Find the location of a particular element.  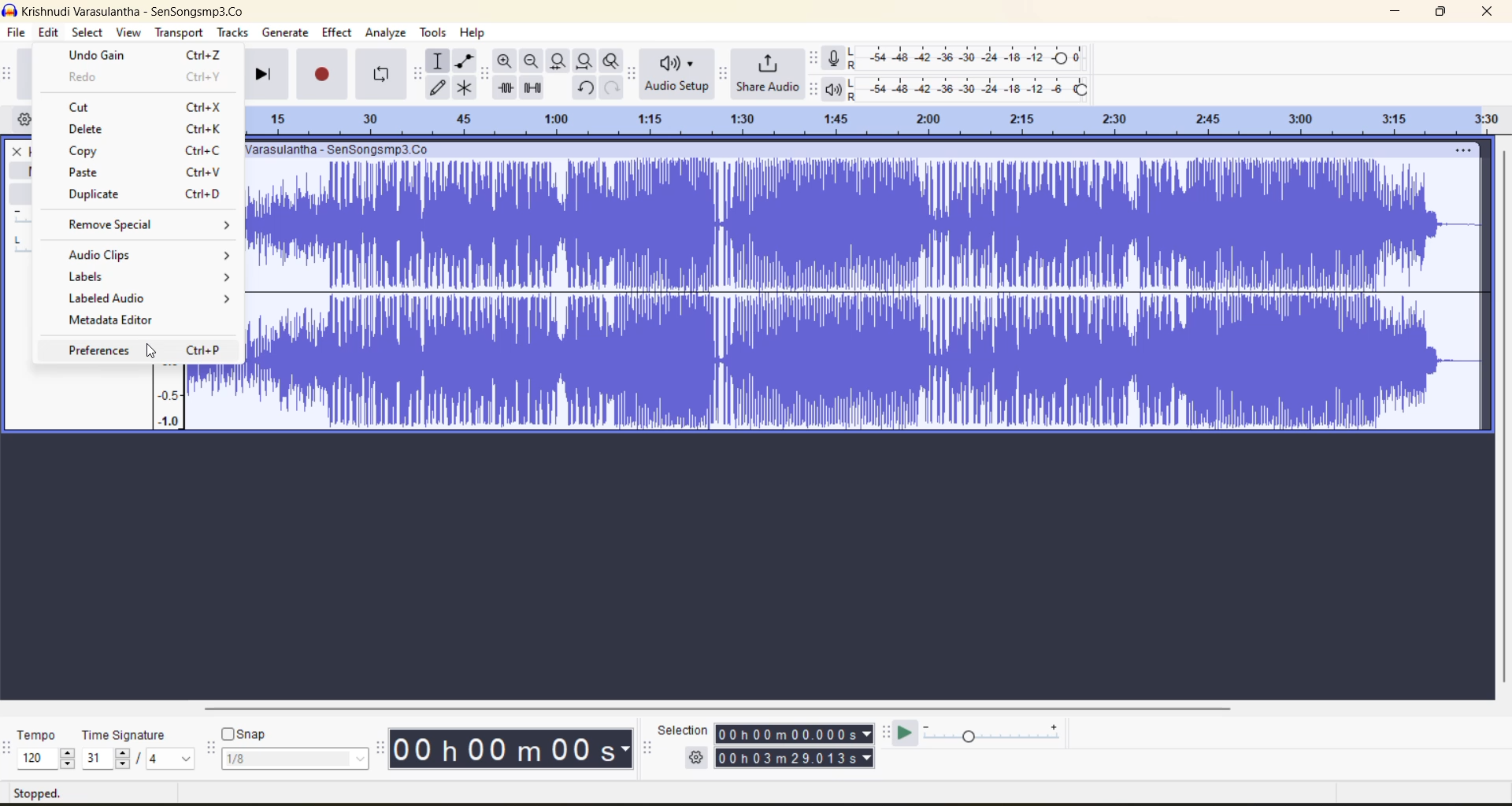

file name and app name is located at coordinates (132, 10).